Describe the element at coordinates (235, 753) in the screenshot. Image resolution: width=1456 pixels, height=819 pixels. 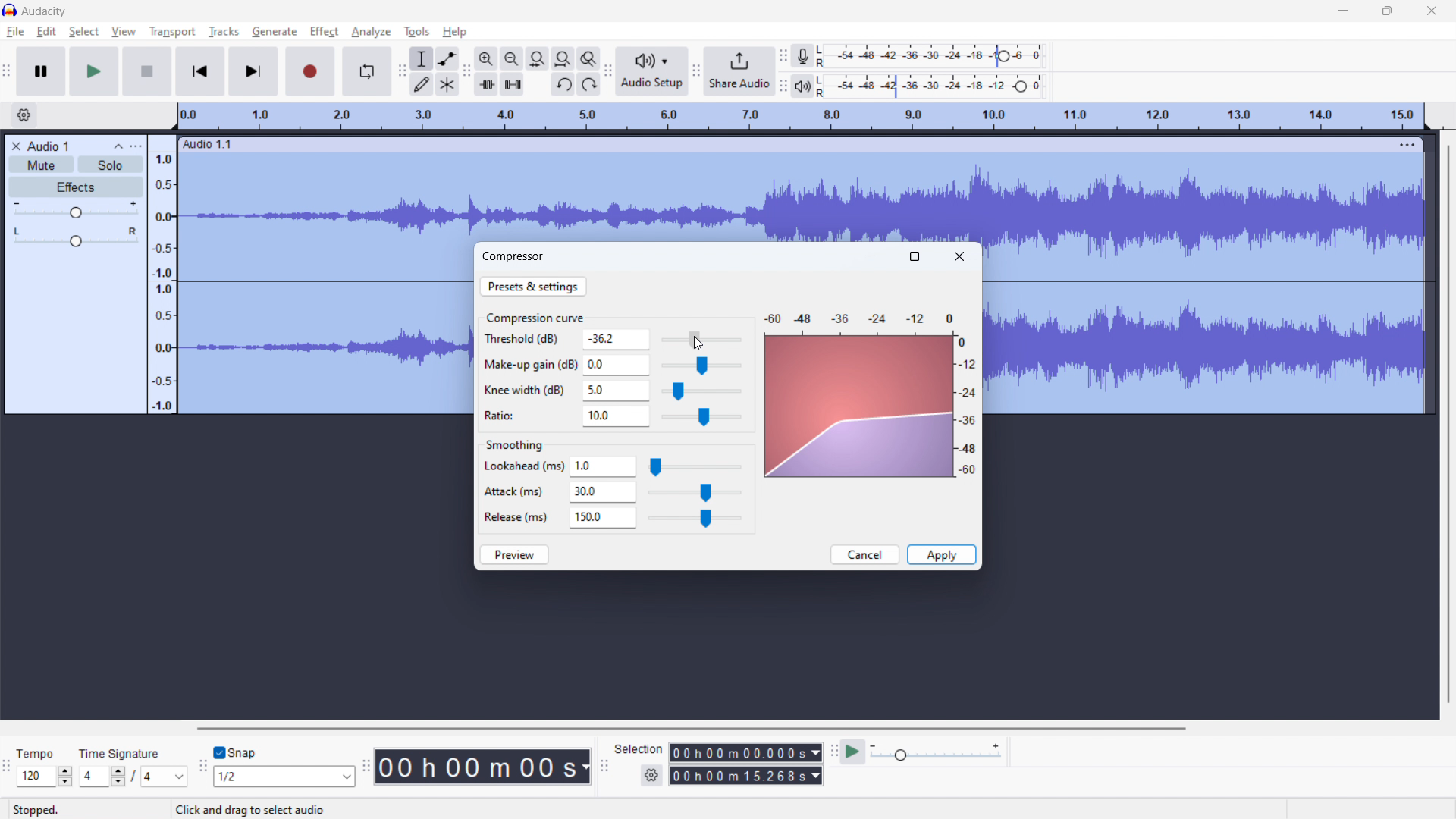
I see `toggle snap` at that location.